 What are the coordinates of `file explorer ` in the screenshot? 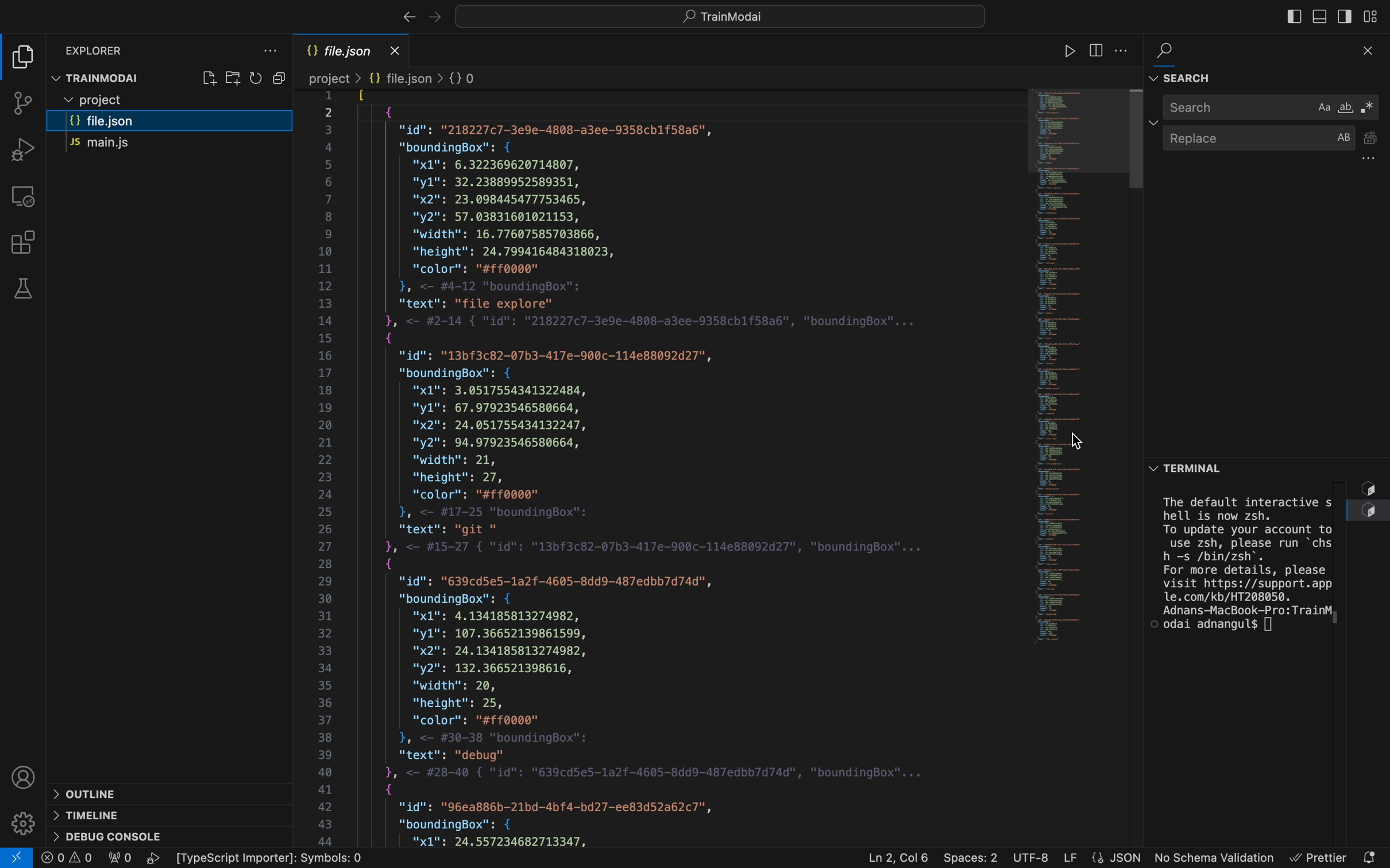 It's located at (25, 59).